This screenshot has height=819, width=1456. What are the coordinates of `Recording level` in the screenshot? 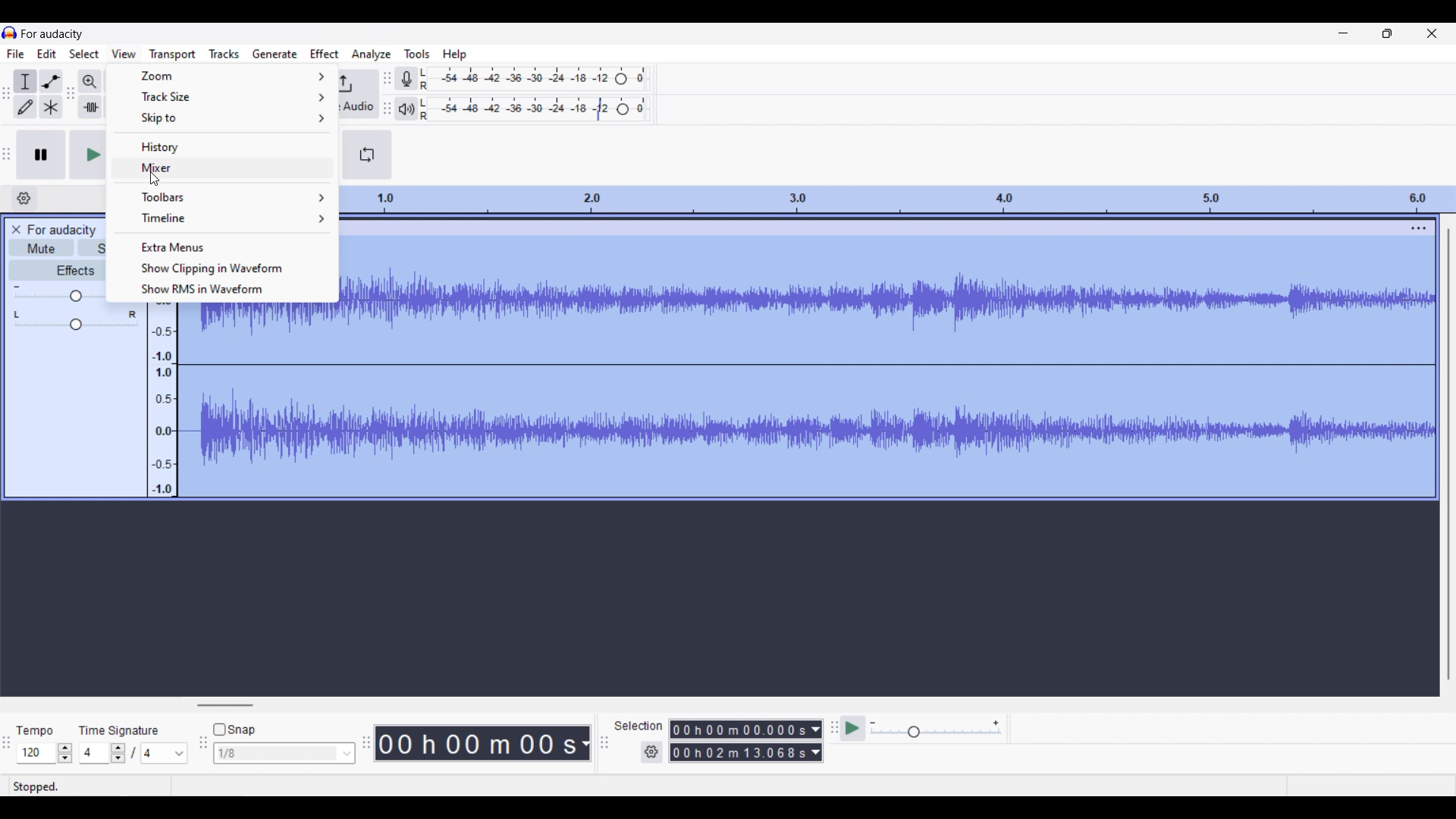 It's located at (533, 79).